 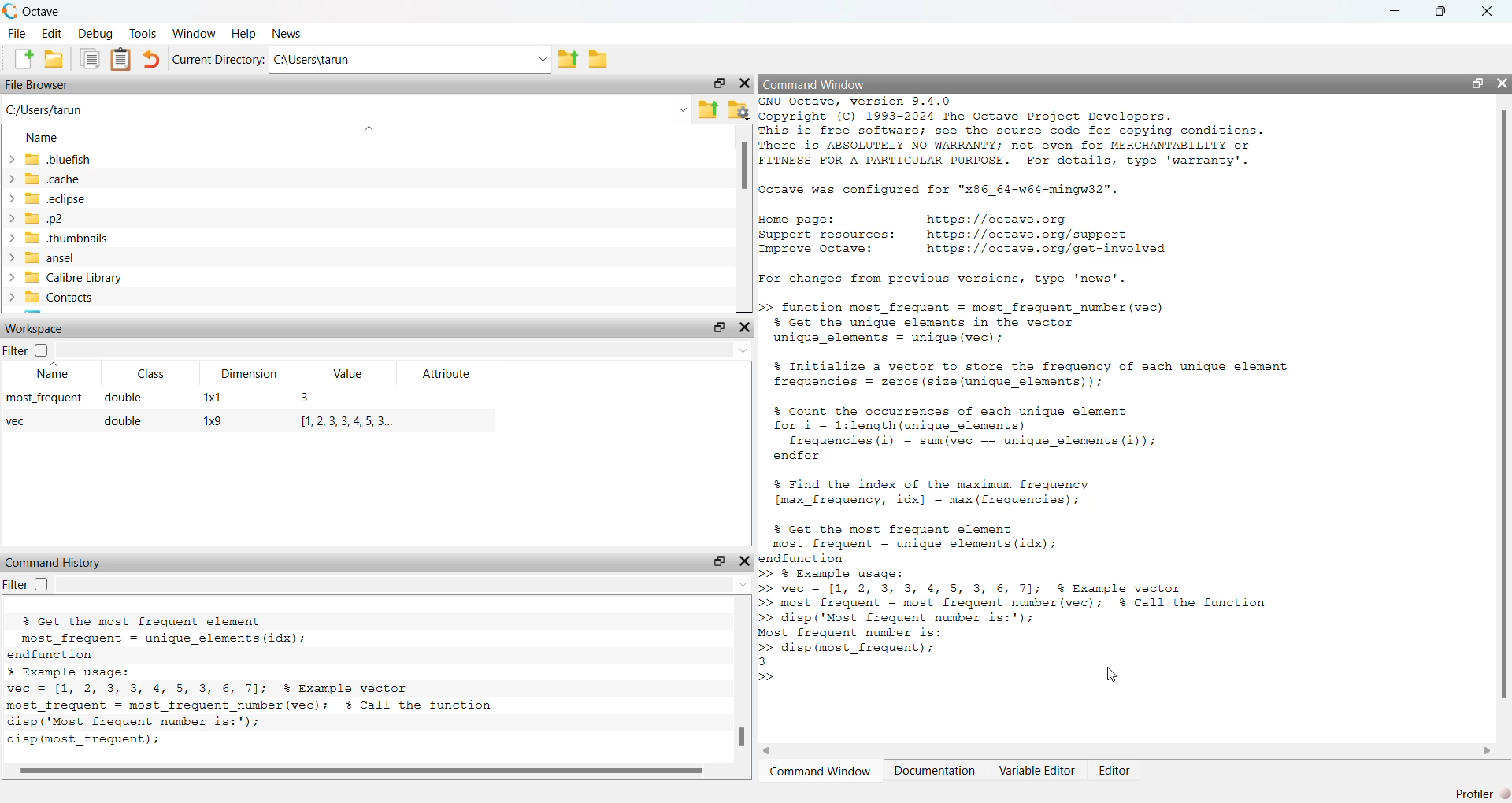 I want to click on Open an existing file in editor, so click(x=55, y=58).